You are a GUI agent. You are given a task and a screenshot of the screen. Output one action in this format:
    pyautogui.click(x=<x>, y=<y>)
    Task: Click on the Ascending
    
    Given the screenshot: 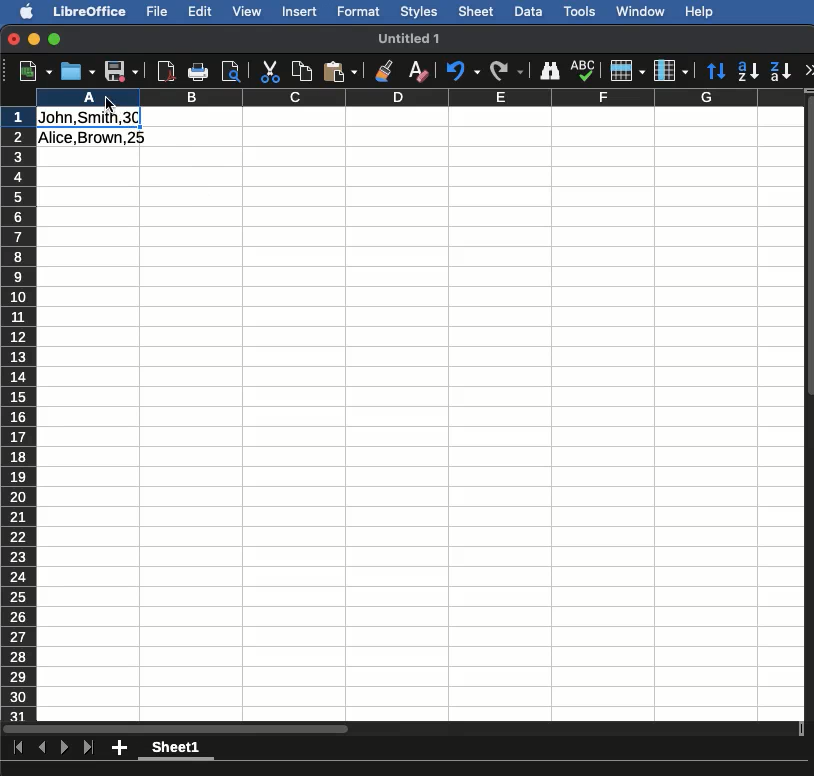 What is the action you would take?
    pyautogui.click(x=750, y=70)
    